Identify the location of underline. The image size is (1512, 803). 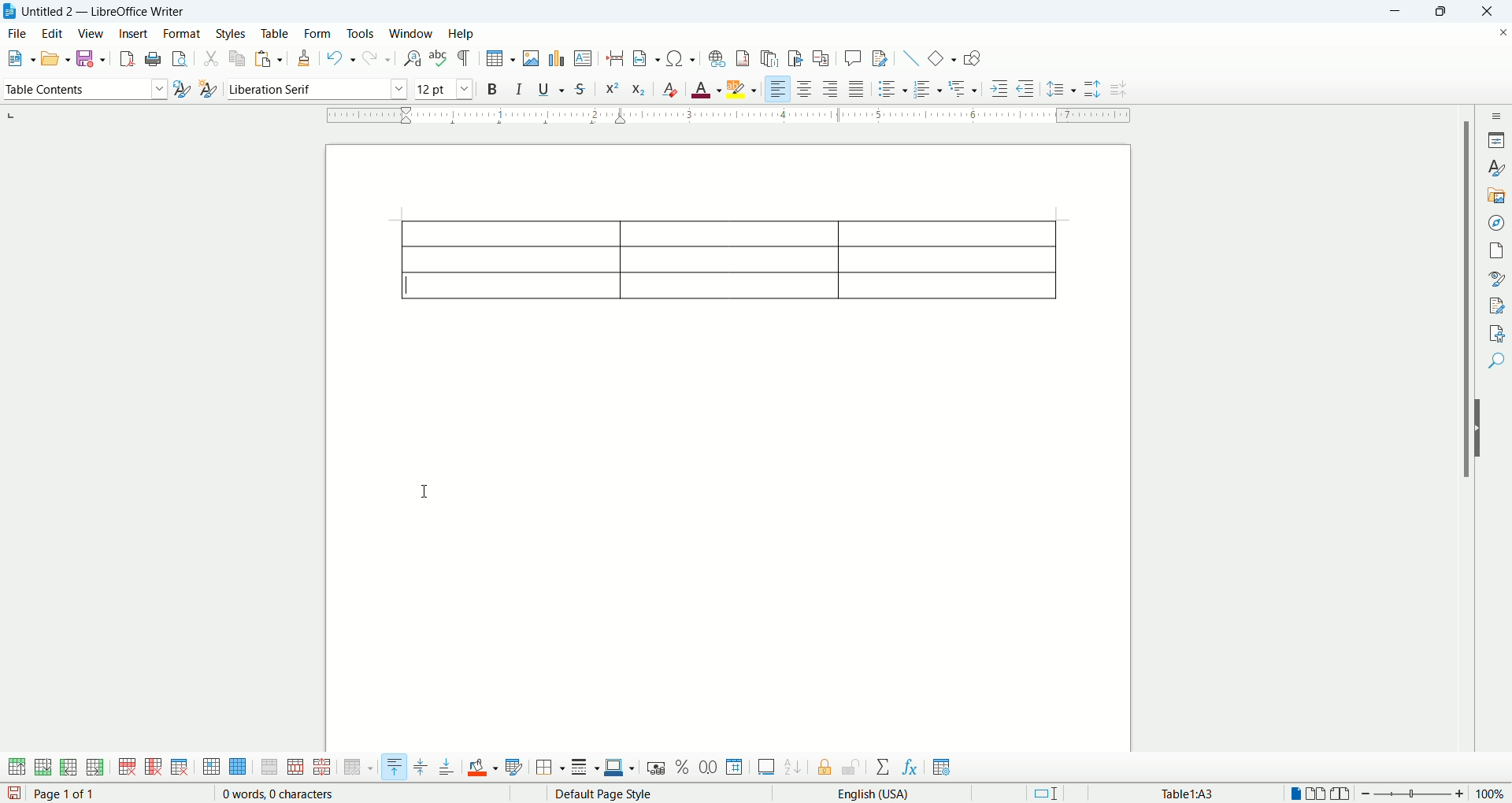
(547, 90).